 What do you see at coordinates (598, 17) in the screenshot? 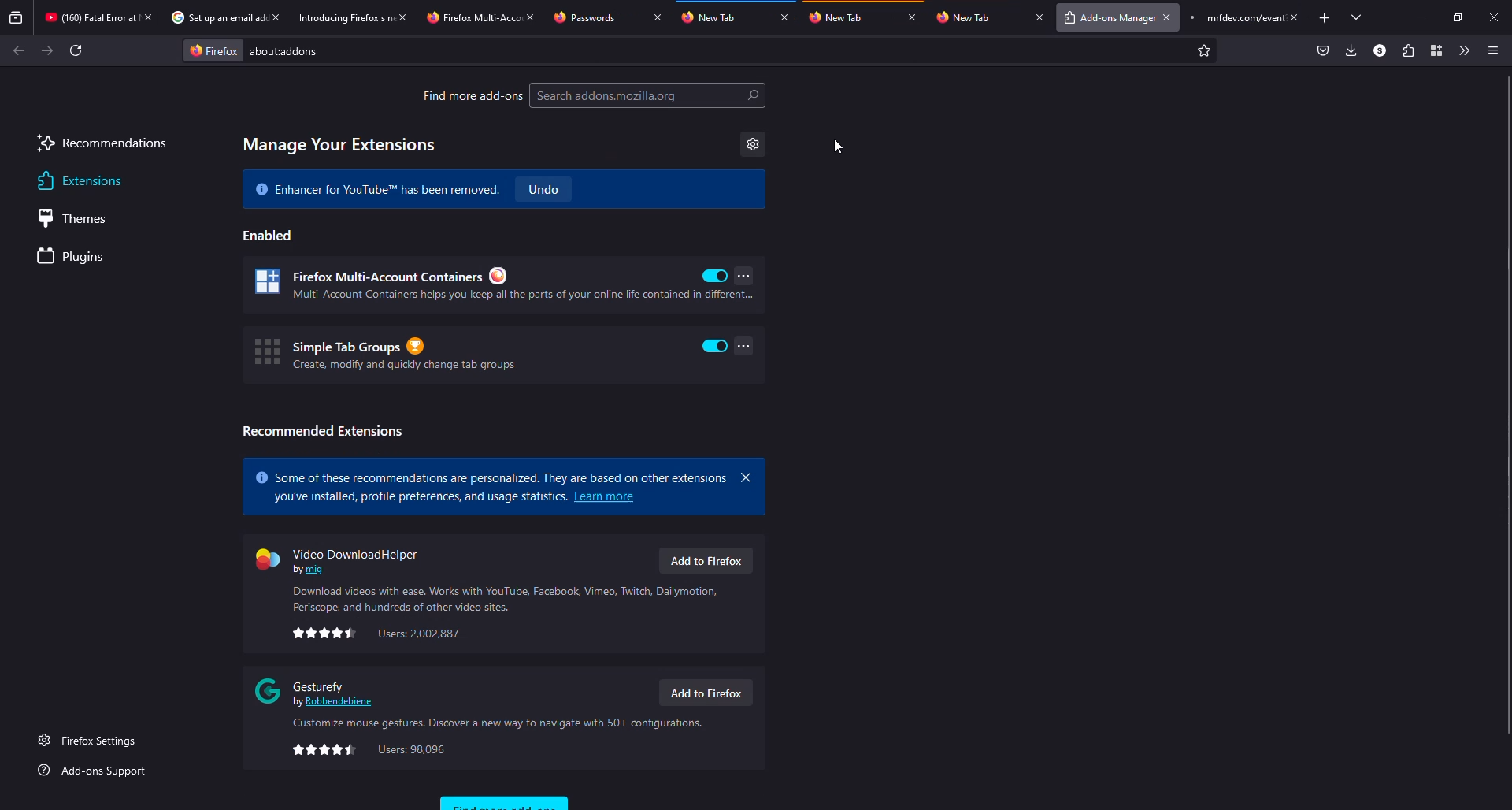
I see `tab` at bounding box center [598, 17].